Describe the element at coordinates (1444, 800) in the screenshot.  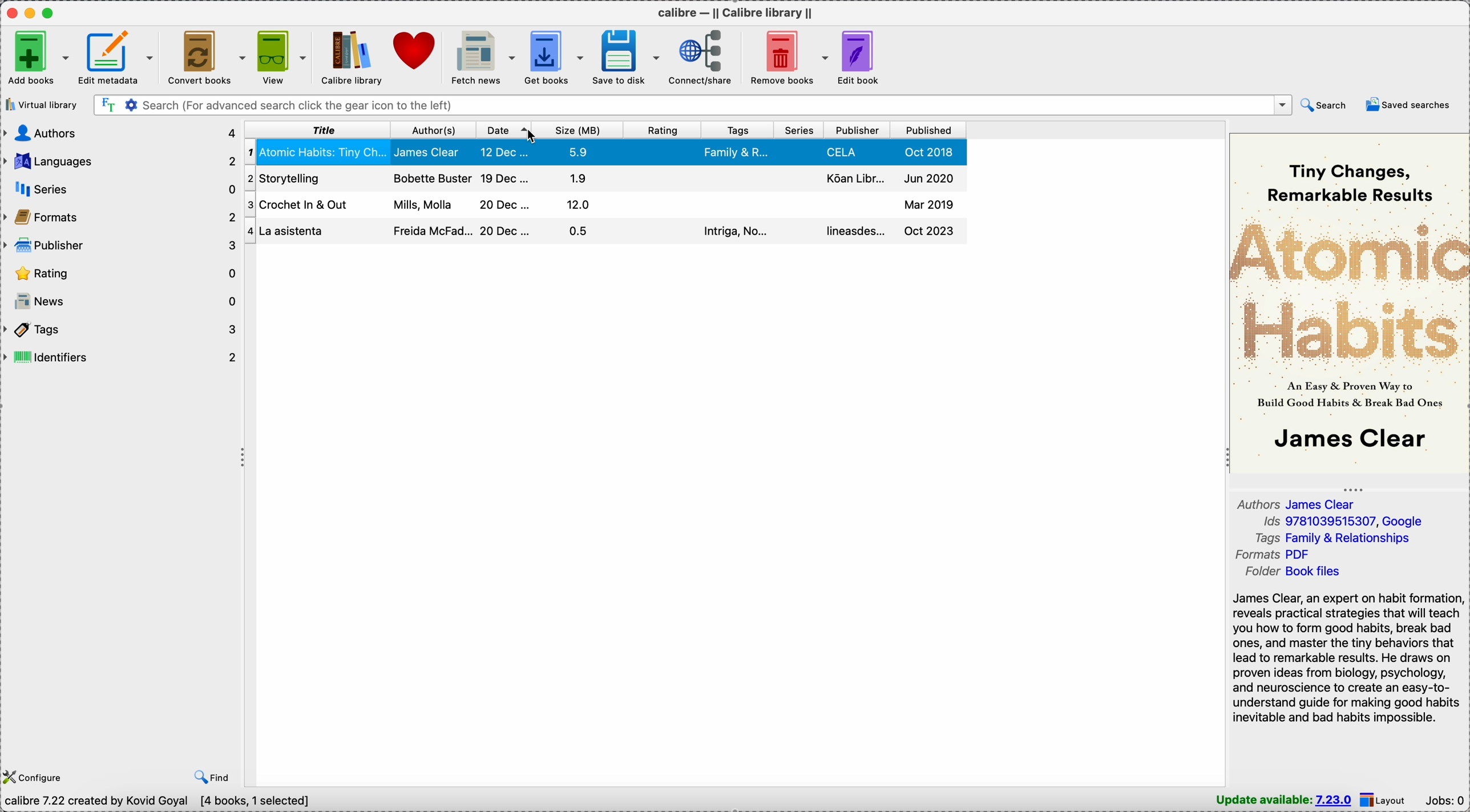
I see `Jobs: 0` at that location.